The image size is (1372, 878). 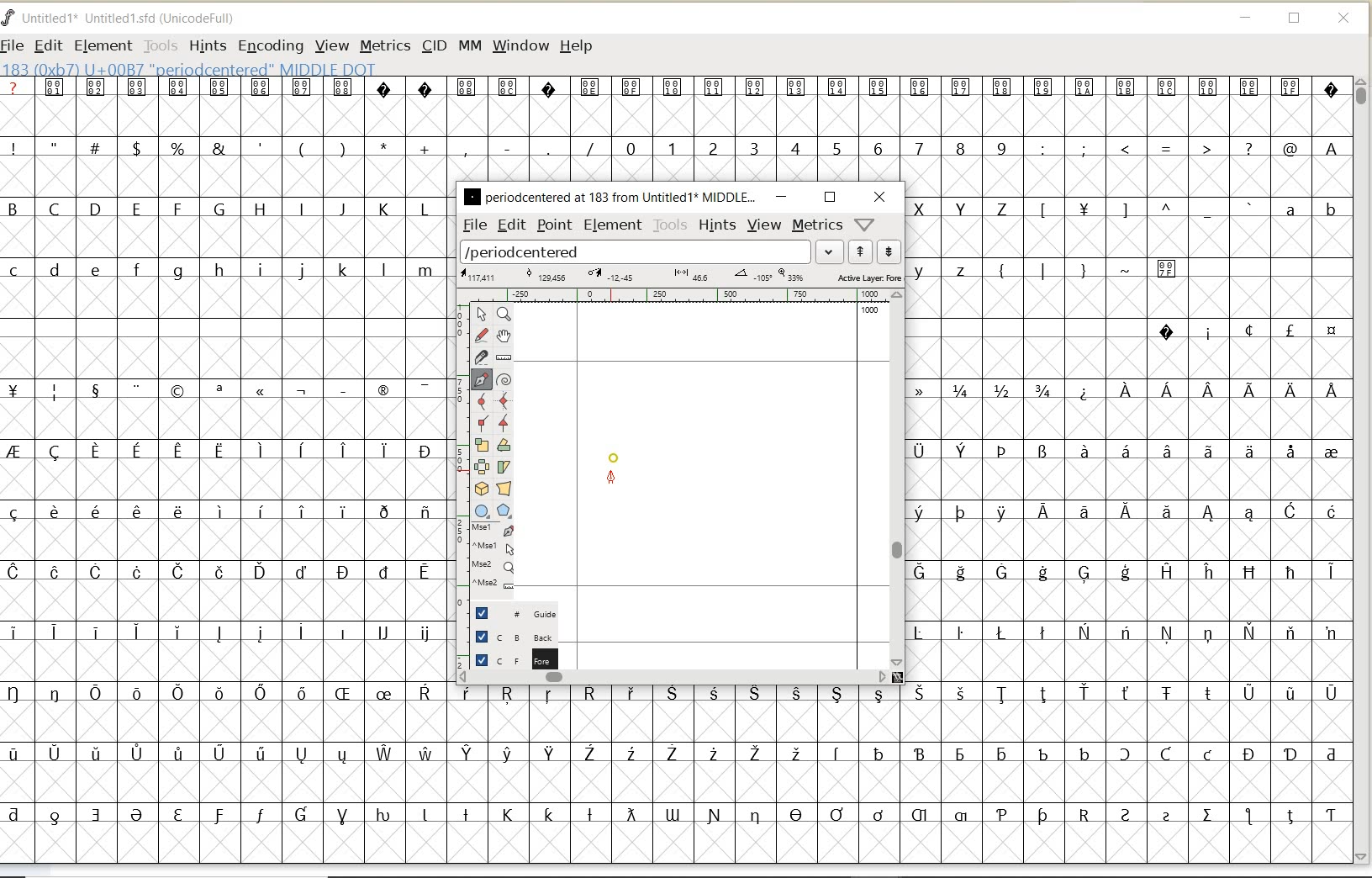 What do you see at coordinates (964, 208) in the screenshot?
I see `uppercase letters` at bounding box center [964, 208].